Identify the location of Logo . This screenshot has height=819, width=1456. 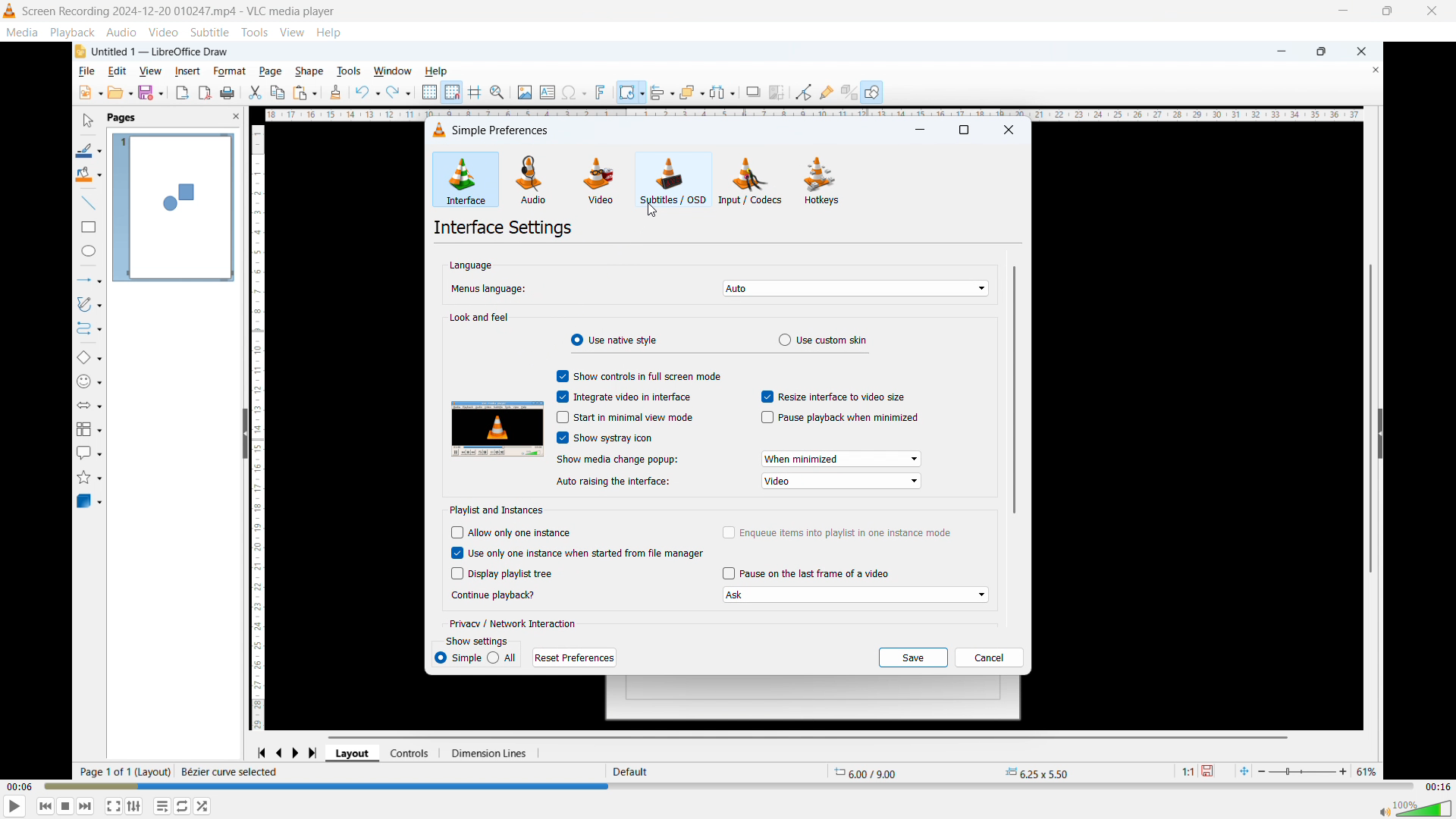
(10, 11).